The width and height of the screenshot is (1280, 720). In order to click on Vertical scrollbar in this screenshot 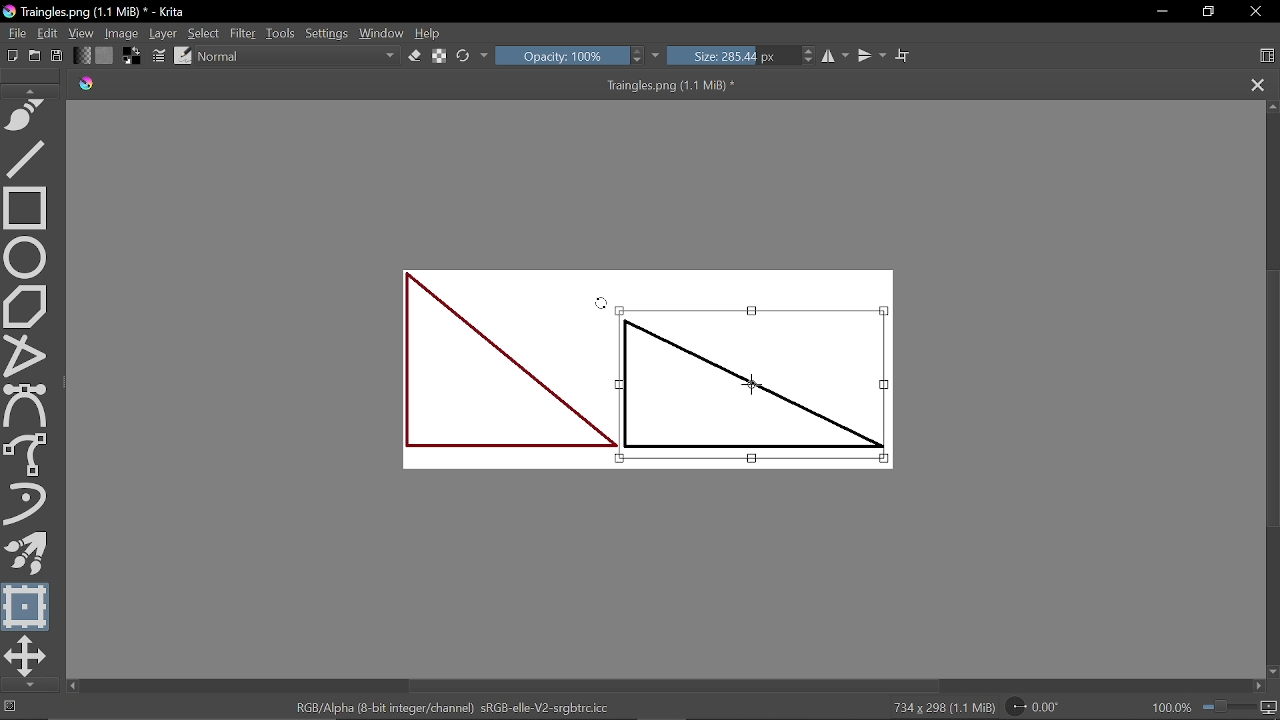, I will do `click(1271, 396)`.